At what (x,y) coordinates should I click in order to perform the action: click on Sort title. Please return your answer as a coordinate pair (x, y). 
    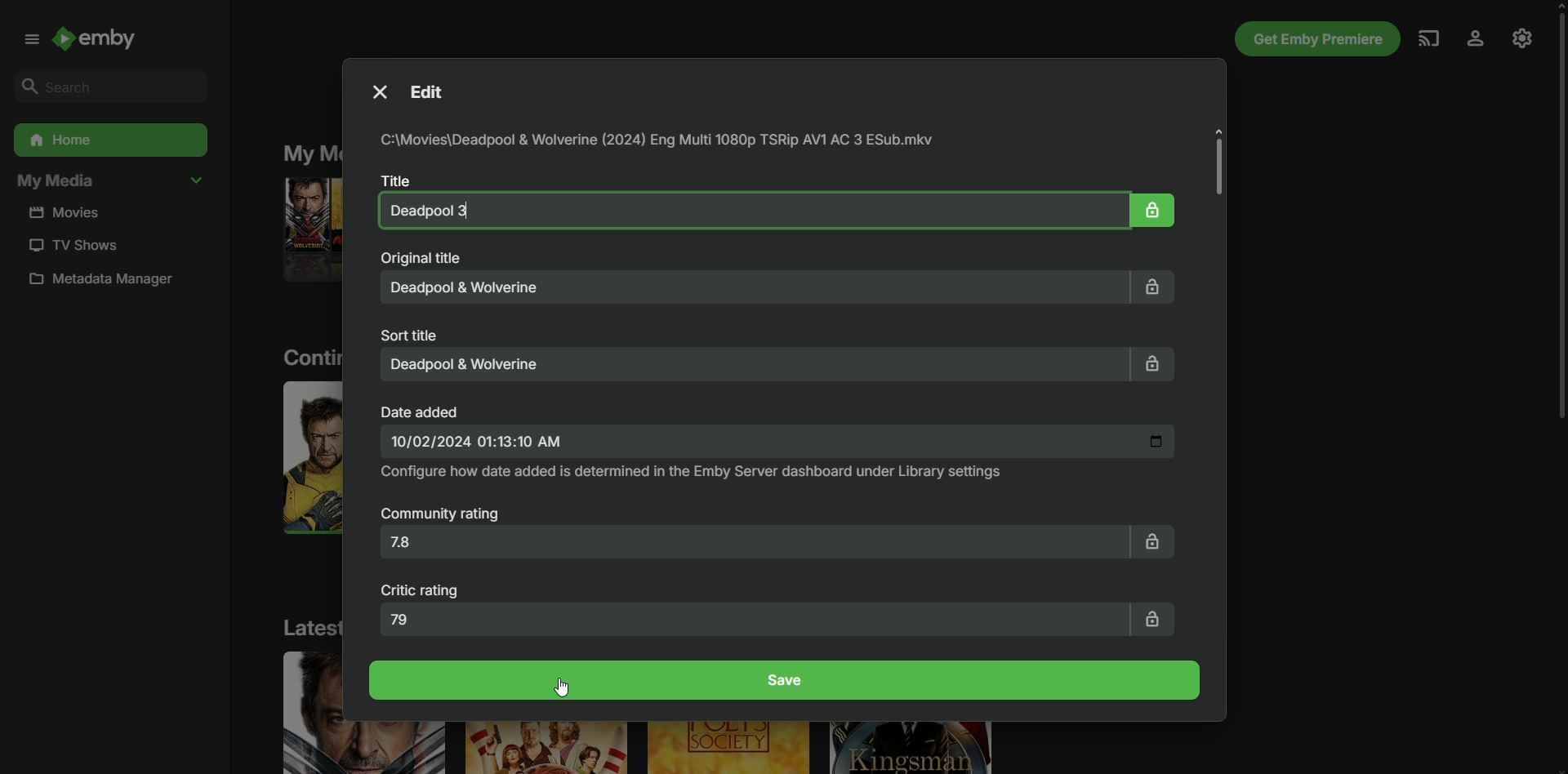
    Looking at the image, I should click on (412, 334).